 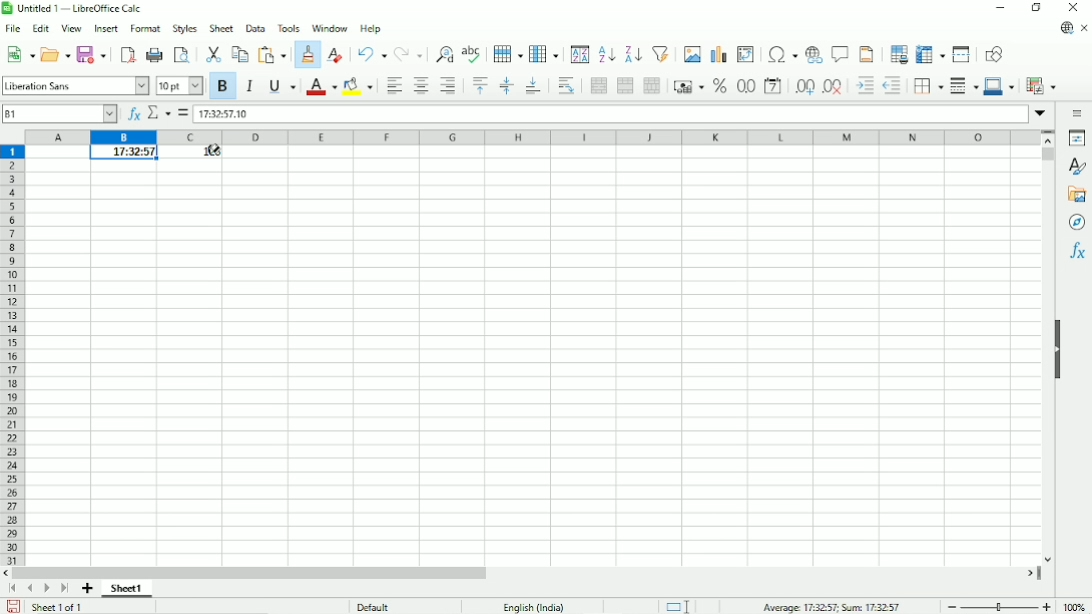 What do you see at coordinates (288, 27) in the screenshot?
I see `Tools` at bounding box center [288, 27].